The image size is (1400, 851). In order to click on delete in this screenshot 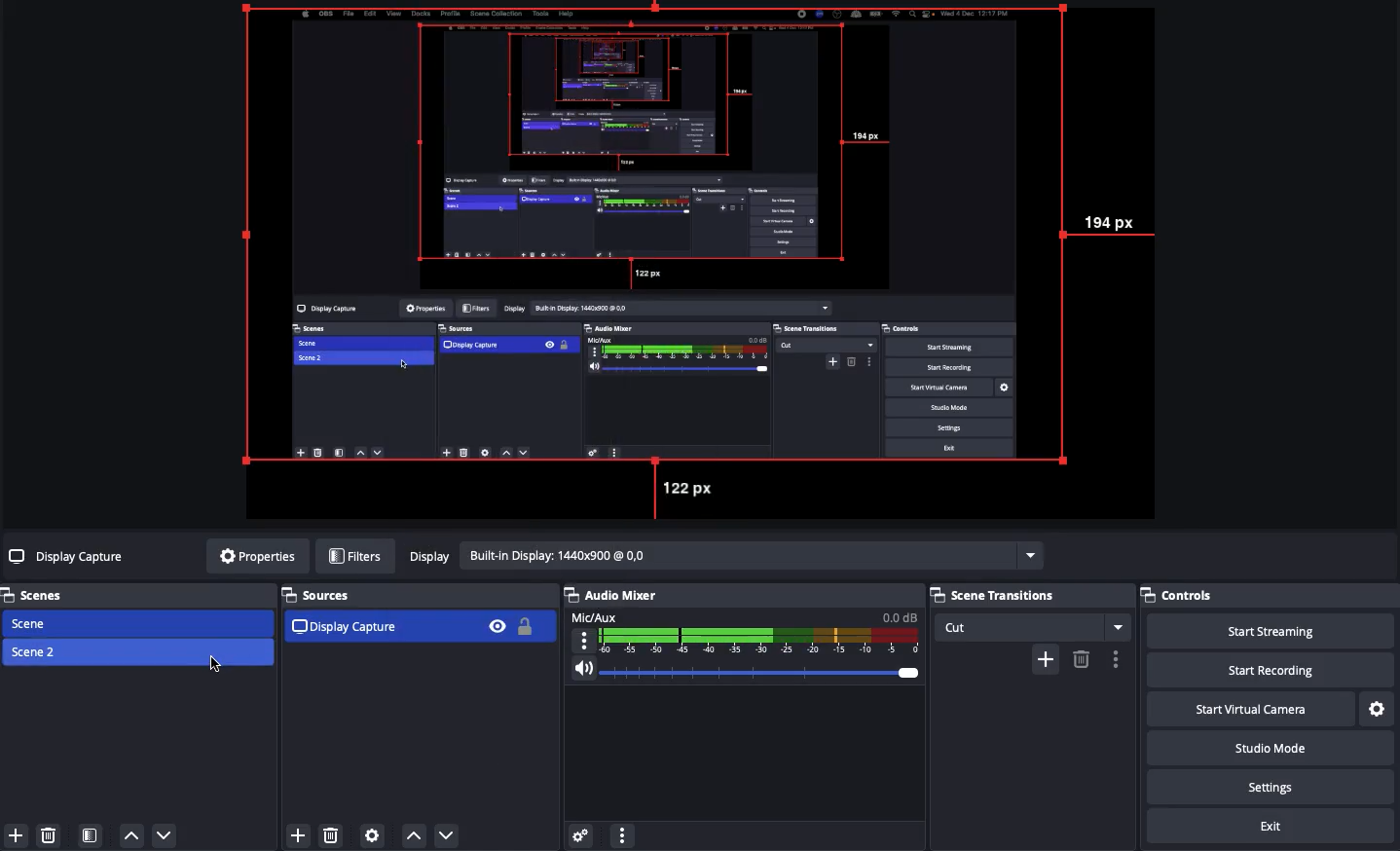, I will do `click(334, 835)`.